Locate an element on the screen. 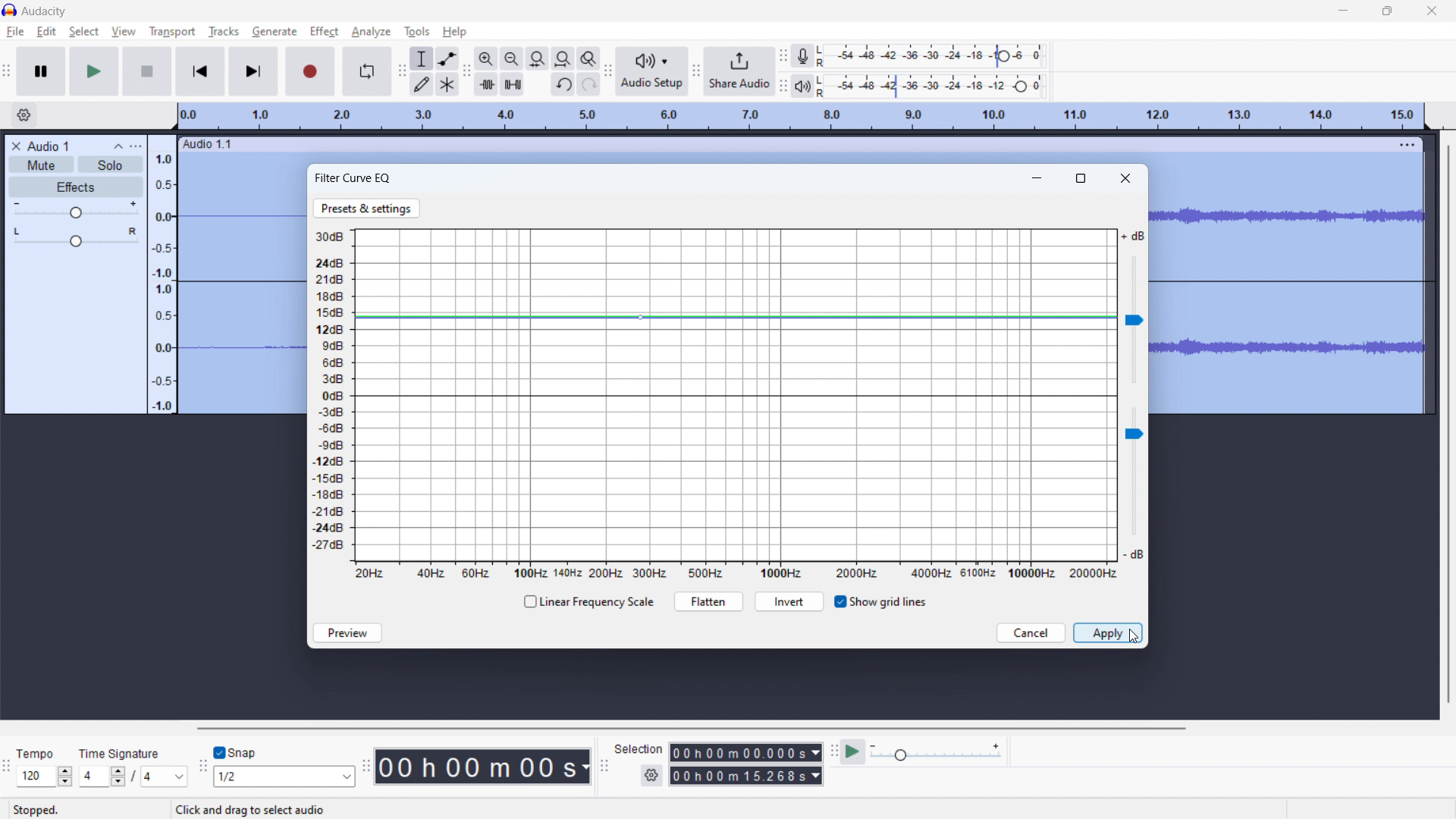  skip to last is located at coordinates (254, 72).